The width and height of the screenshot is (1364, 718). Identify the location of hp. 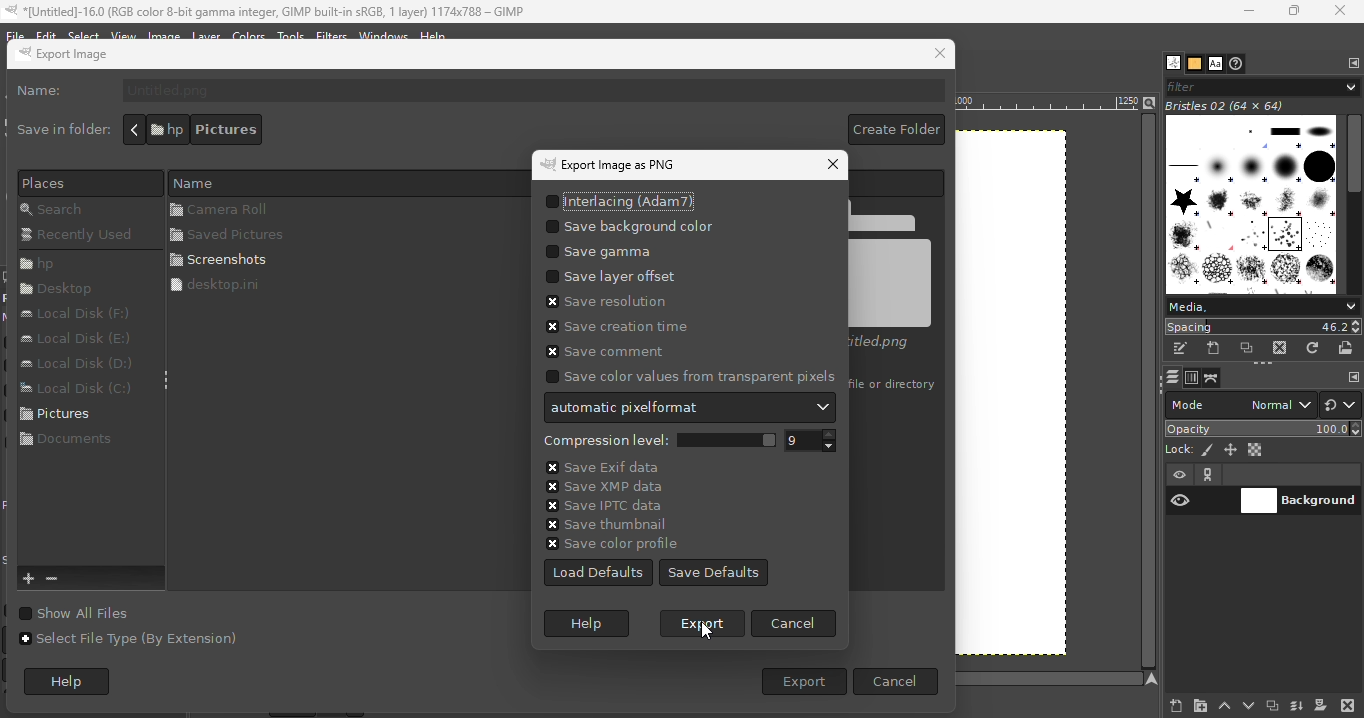
(165, 128).